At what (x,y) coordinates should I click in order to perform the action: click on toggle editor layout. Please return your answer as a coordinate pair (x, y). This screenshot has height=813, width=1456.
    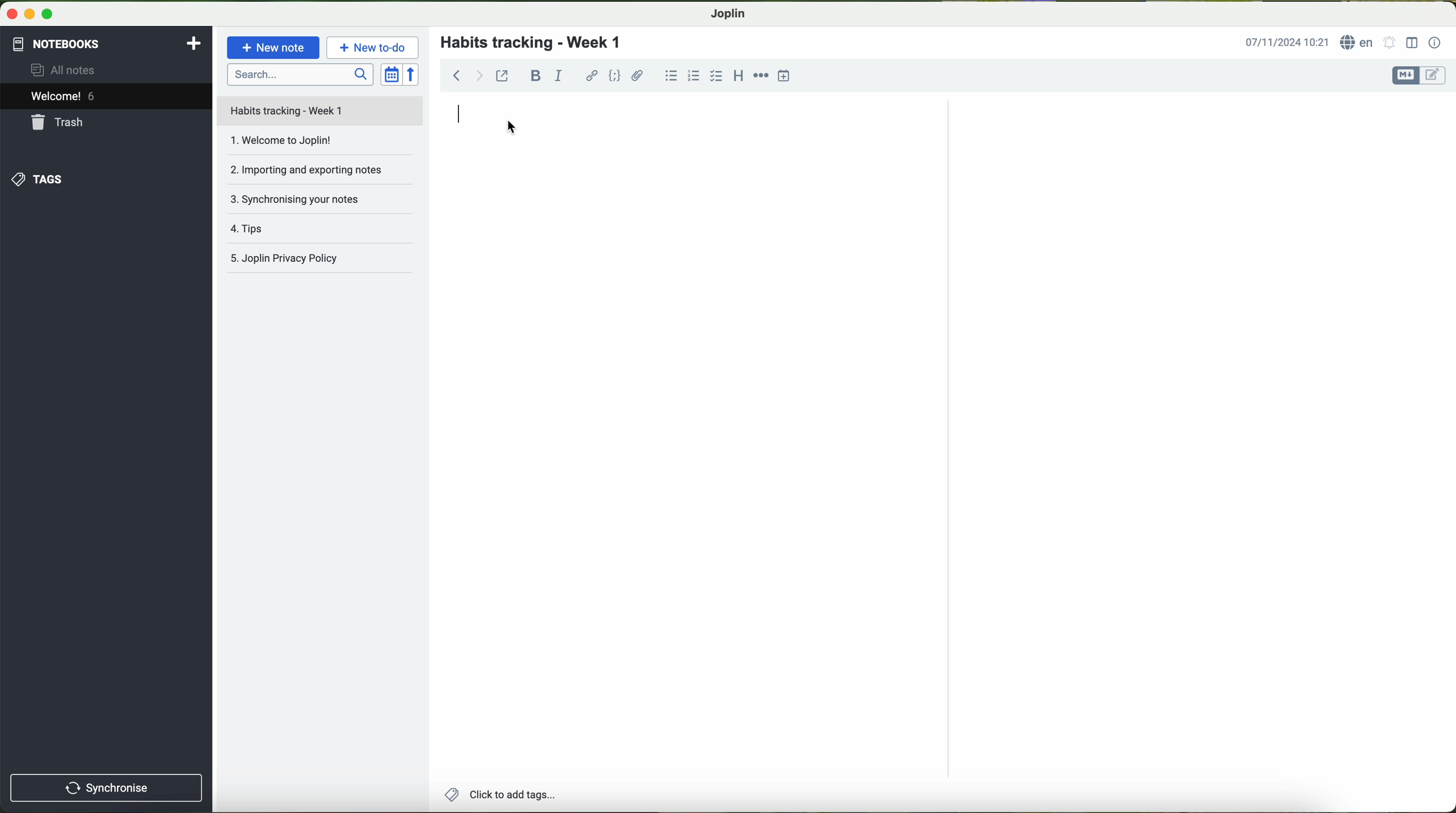
    Looking at the image, I should click on (1412, 43).